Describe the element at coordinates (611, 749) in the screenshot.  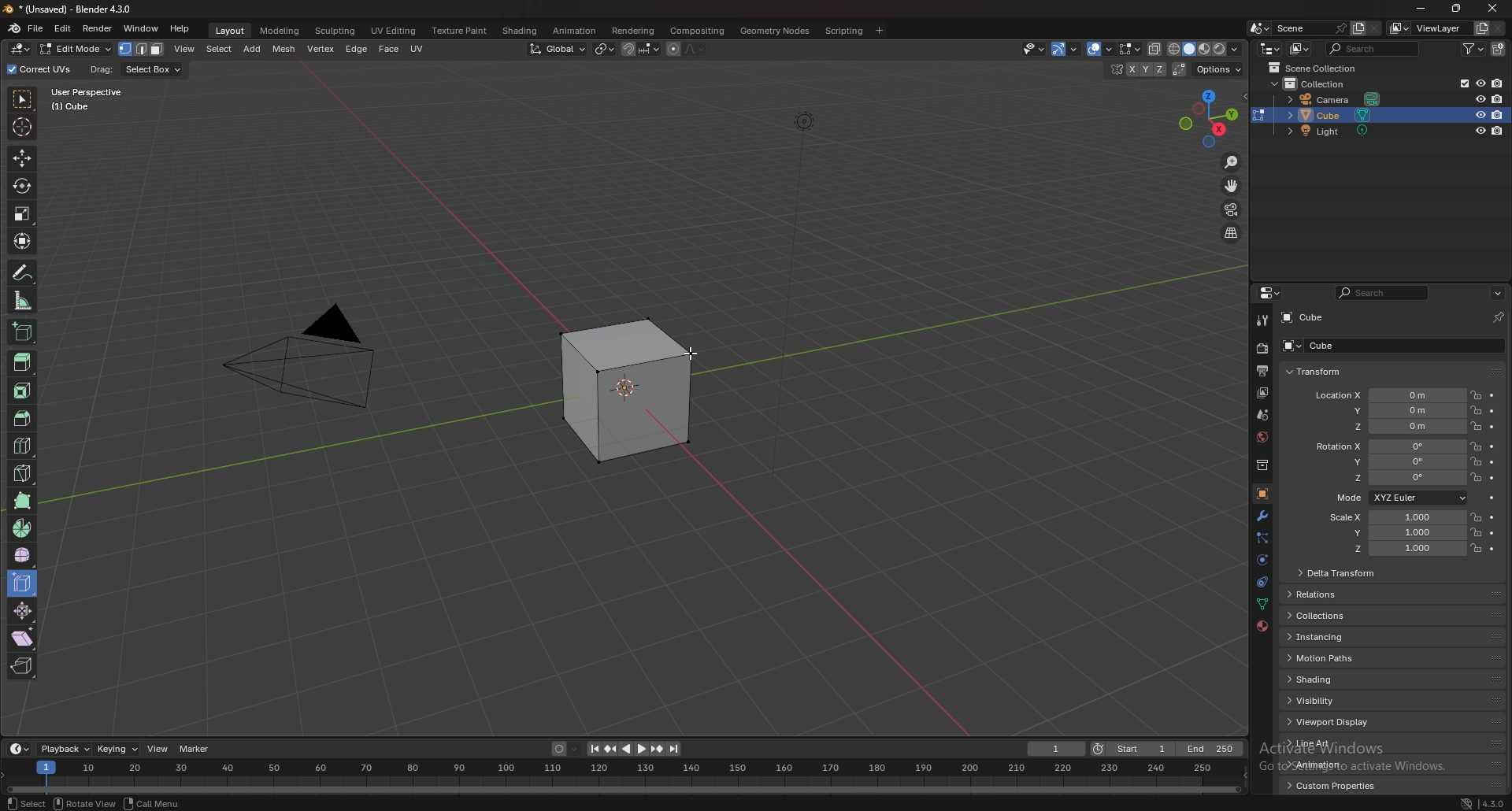
I see `jump to keyframe` at that location.